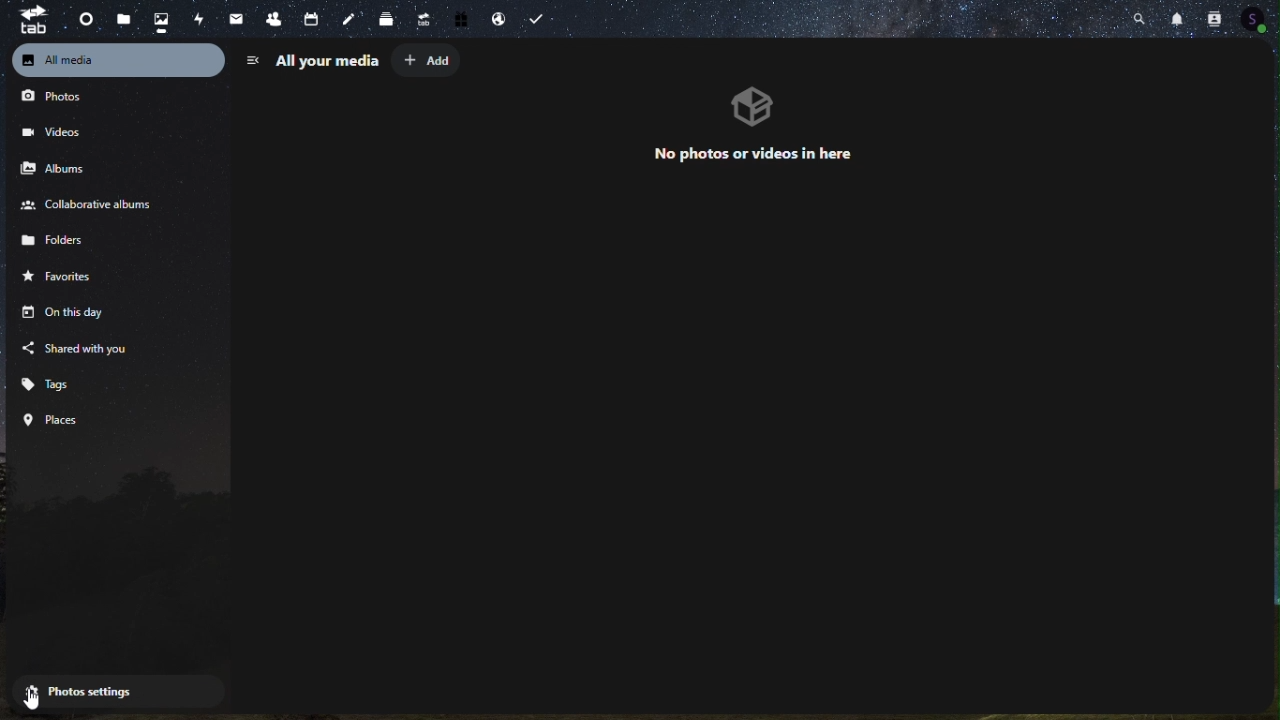  Describe the element at coordinates (423, 21) in the screenshot. I see `Upgrade` at that location.